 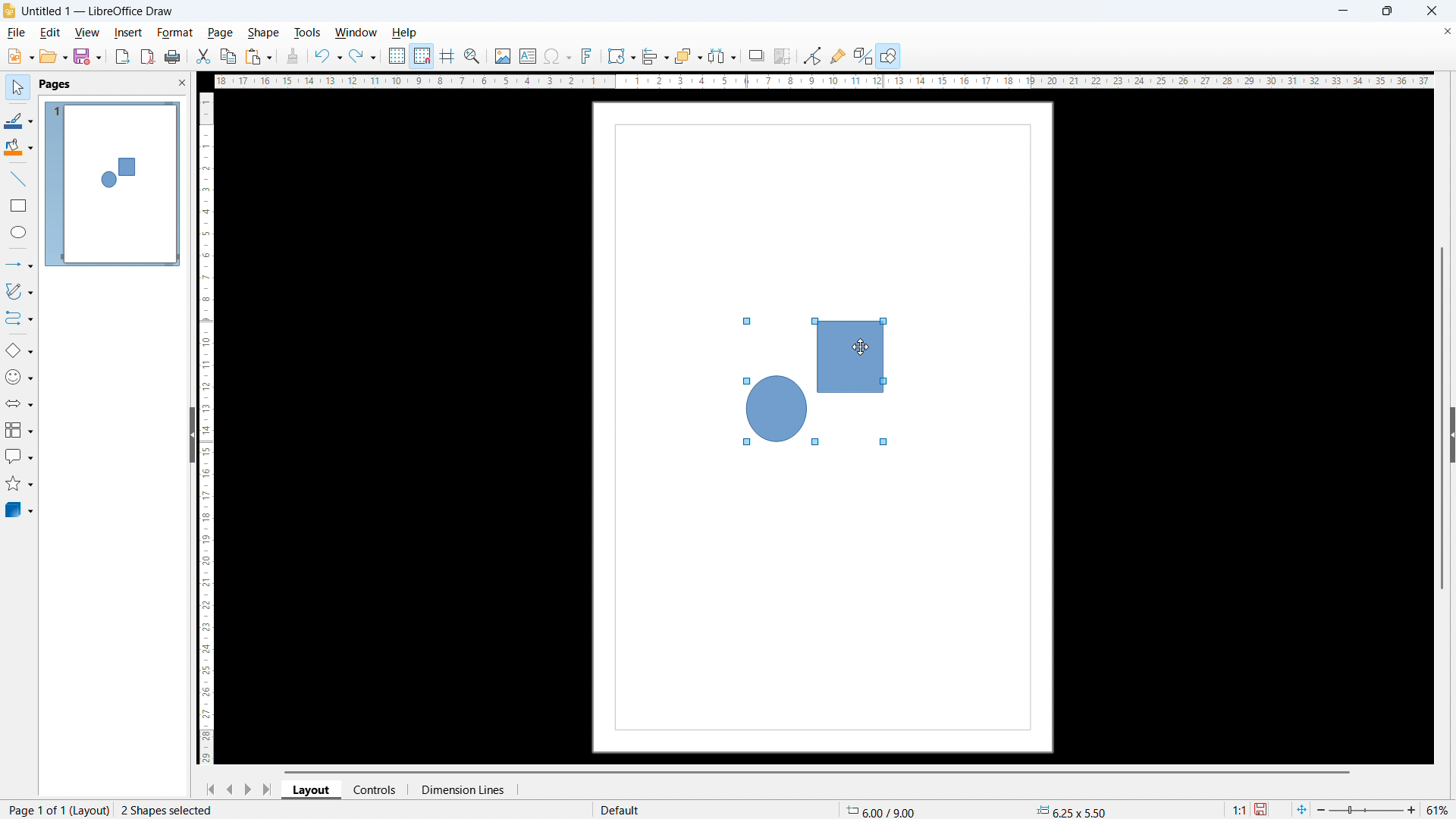 What do you see at coordinates (723, 55) in the screenshot?
I see `select at least 3 objects to distribute` at bounding box center [723, 55].